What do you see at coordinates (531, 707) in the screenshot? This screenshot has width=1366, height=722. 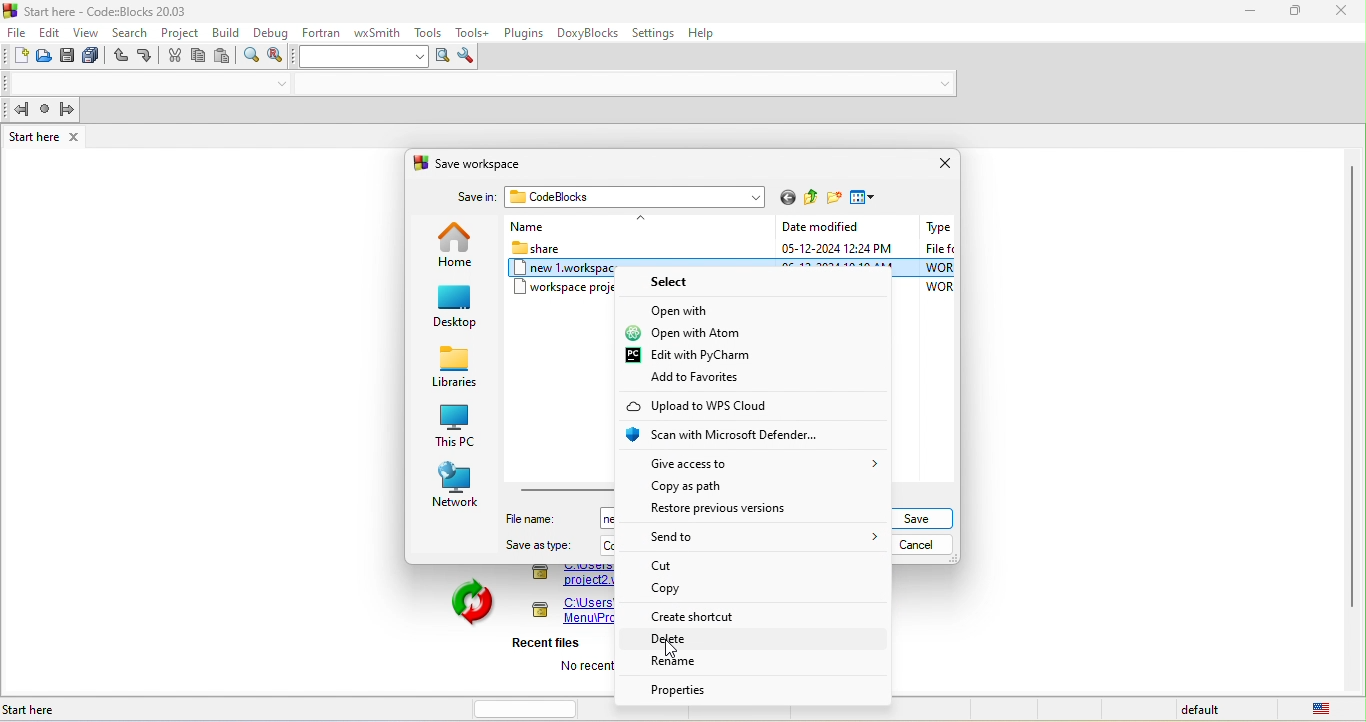 I see `horizontal scroll bar` at bounding box center [531, 707].